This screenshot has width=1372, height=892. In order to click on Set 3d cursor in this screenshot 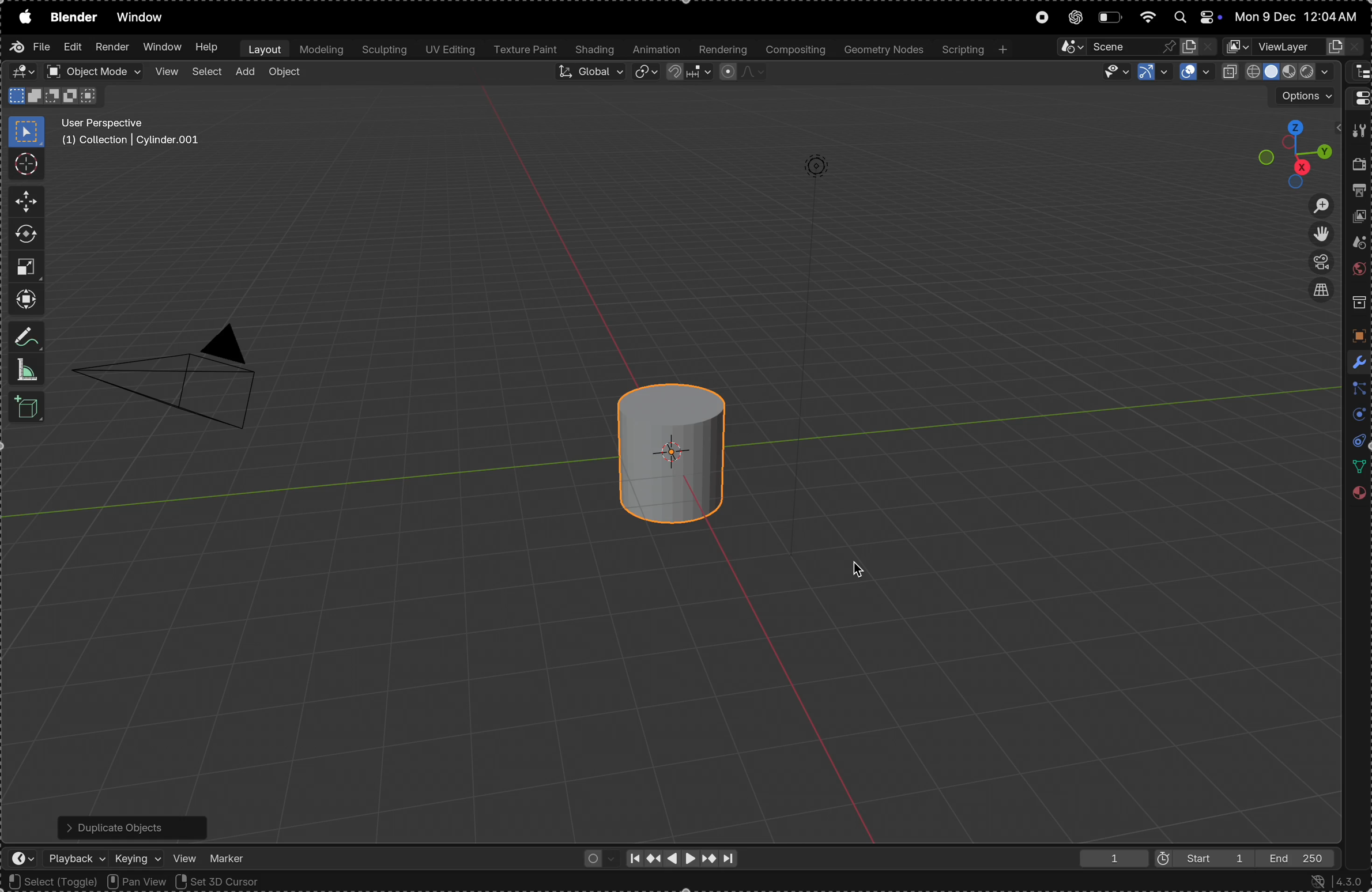, I will do `click(221, 882)`.